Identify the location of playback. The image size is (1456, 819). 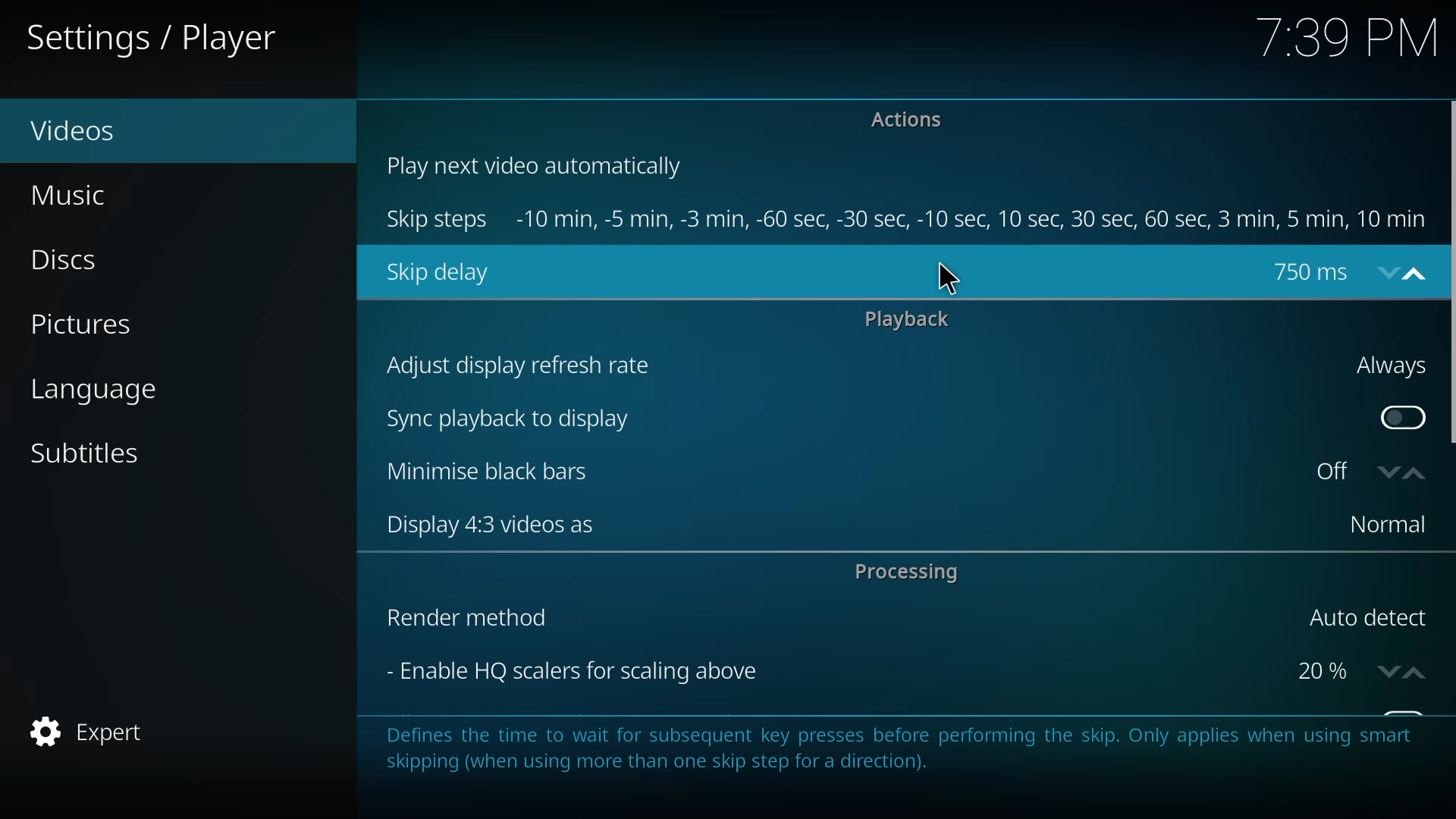
(911, 318).